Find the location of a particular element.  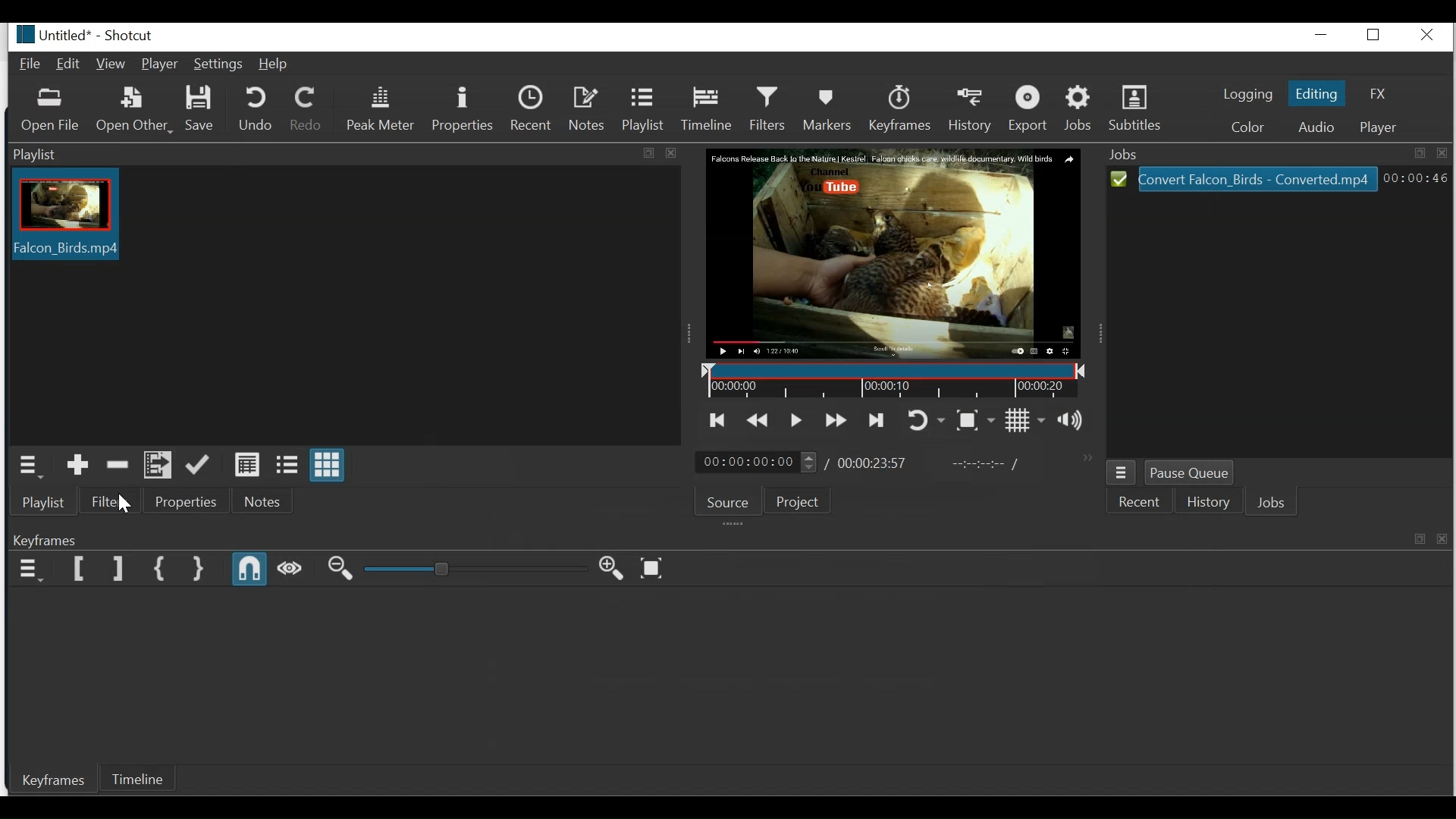

Zoom Keyframe to fit is located at coordinates (654, 567).